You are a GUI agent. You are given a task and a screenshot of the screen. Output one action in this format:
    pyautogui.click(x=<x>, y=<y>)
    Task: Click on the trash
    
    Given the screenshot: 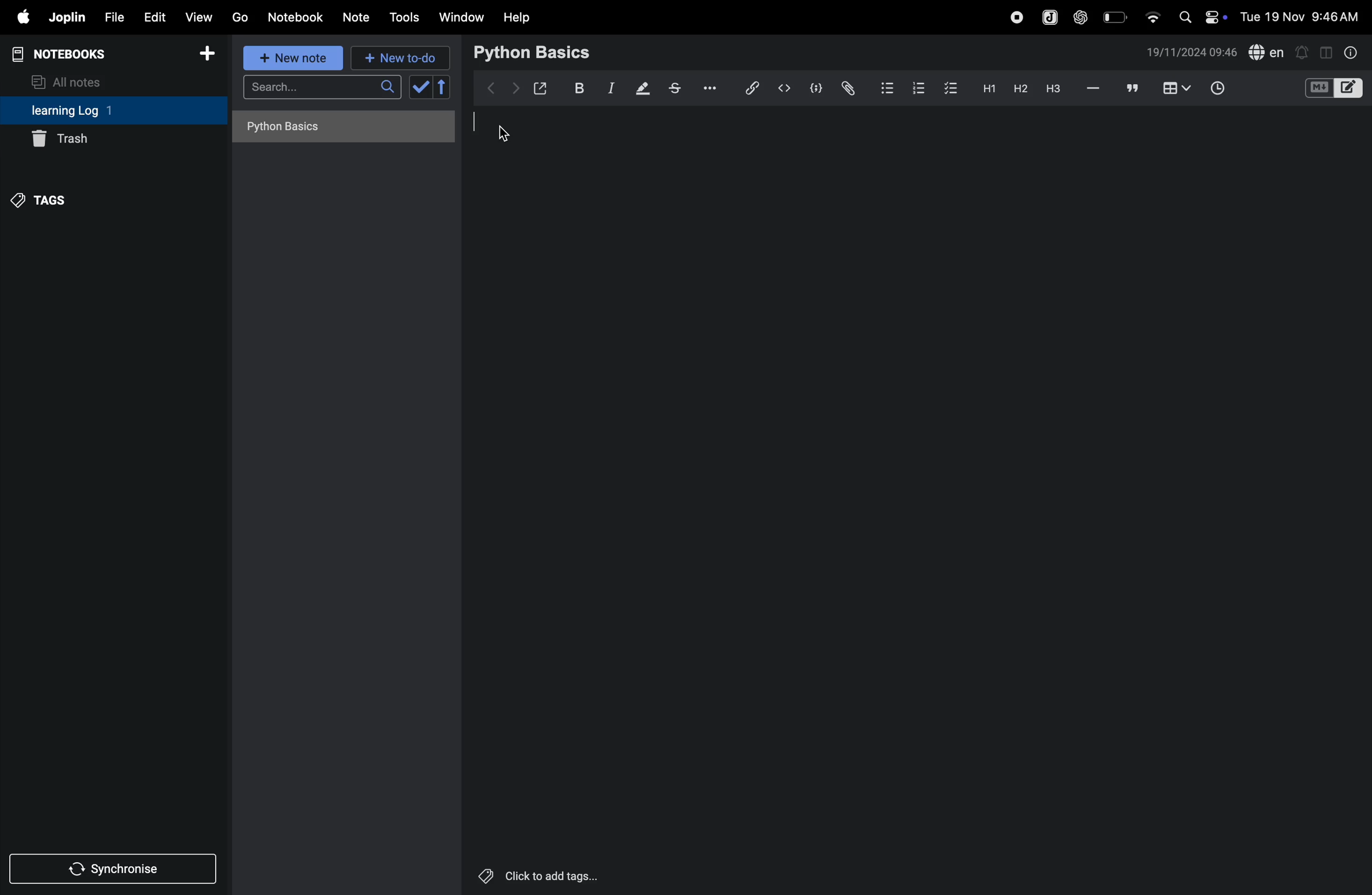 What is the action you would take?
    pyautogui.click(x=113, y=138)
    